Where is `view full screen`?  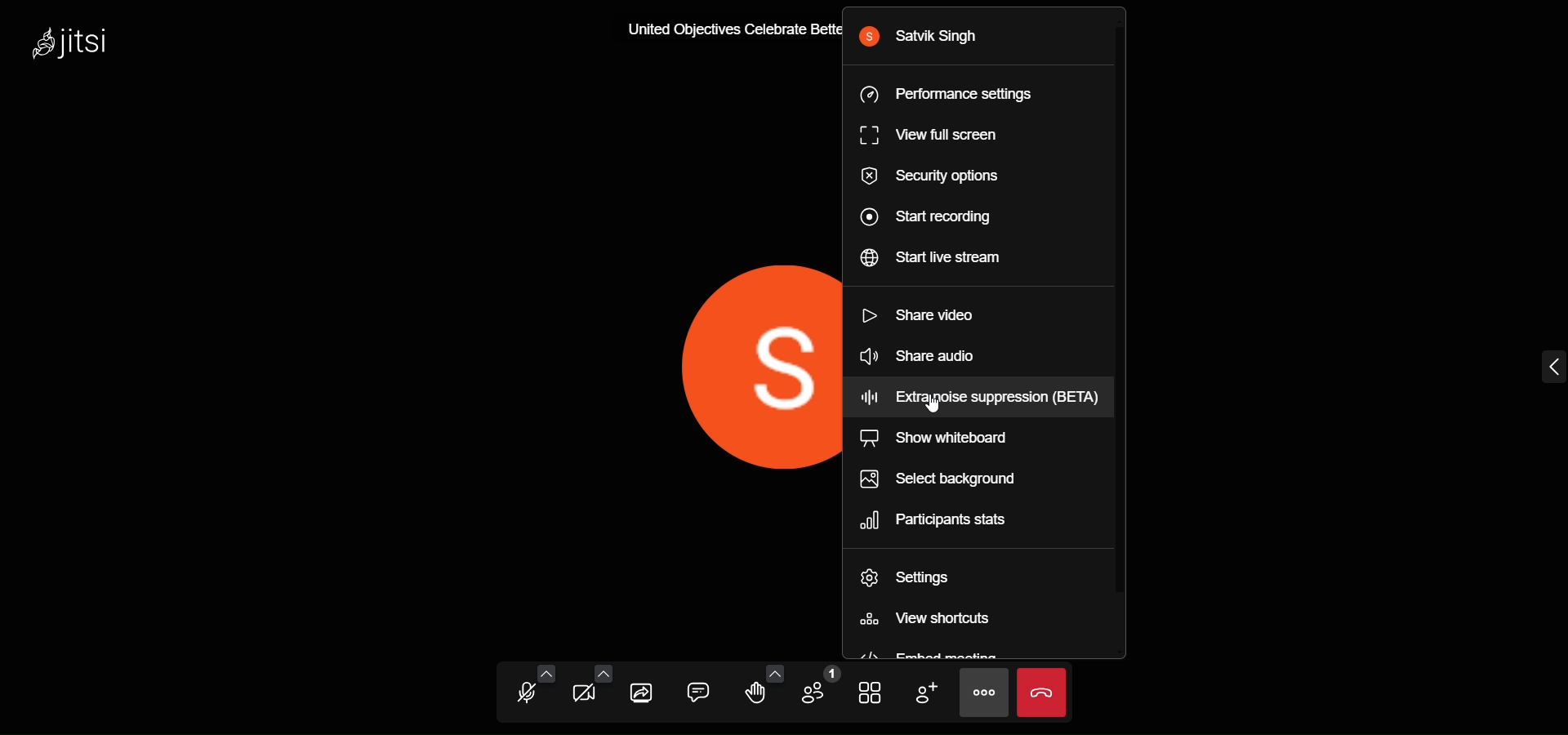
view full screen is located at coordinates (934, 136).